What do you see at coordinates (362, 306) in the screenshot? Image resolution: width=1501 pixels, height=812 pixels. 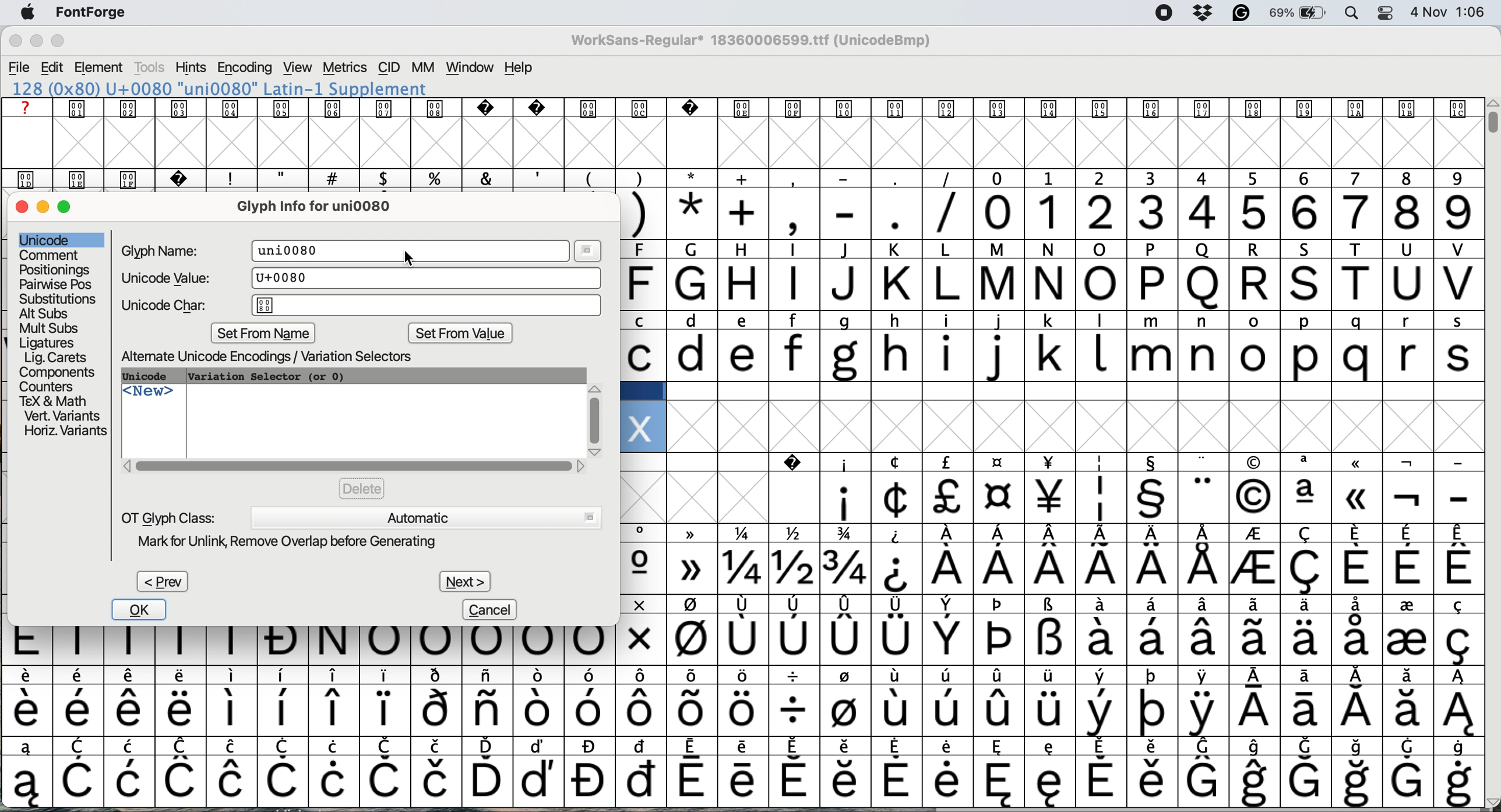 I see `unicode char` at bounding box center [362, 306].